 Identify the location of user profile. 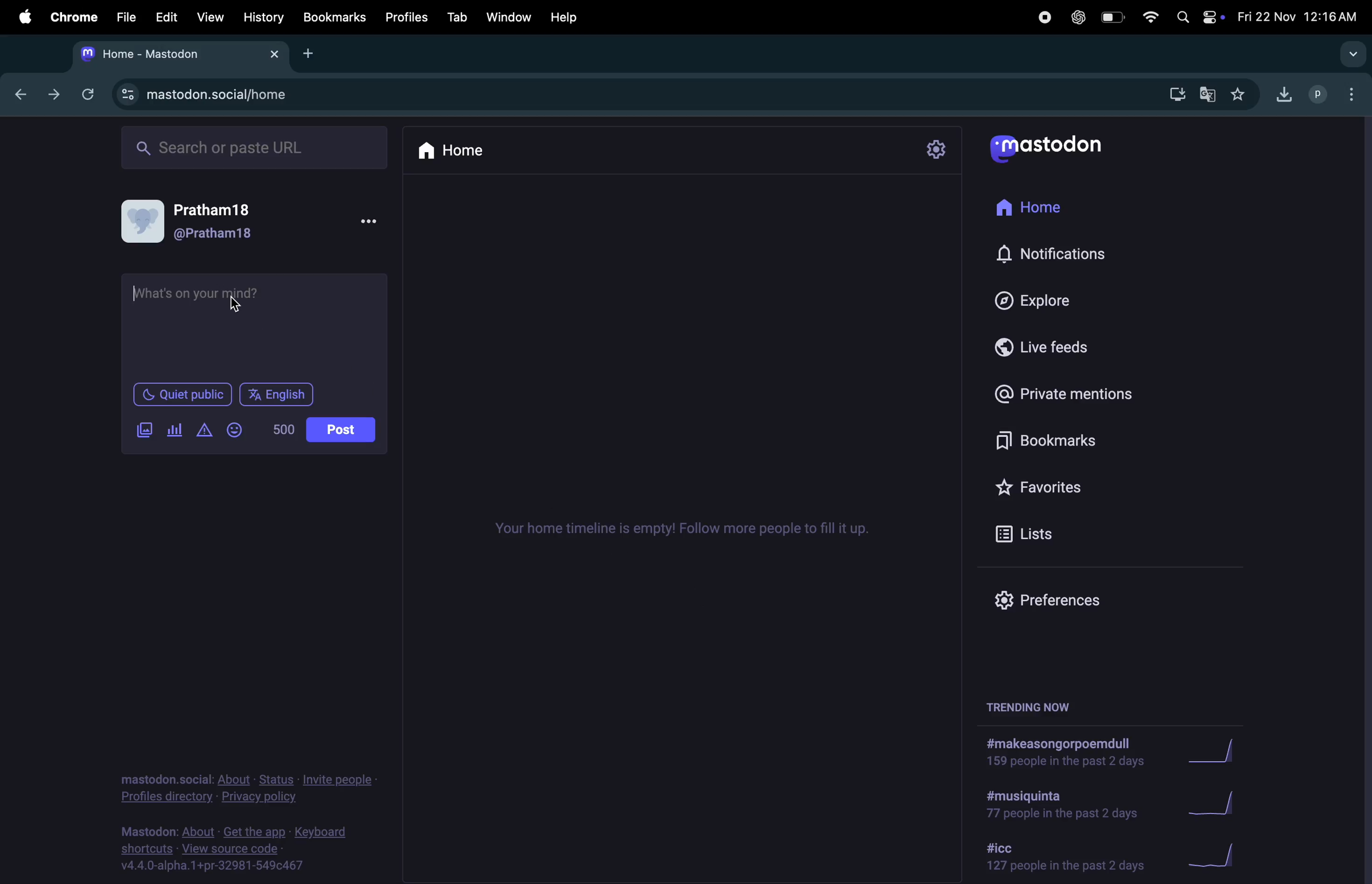
(253, 222).